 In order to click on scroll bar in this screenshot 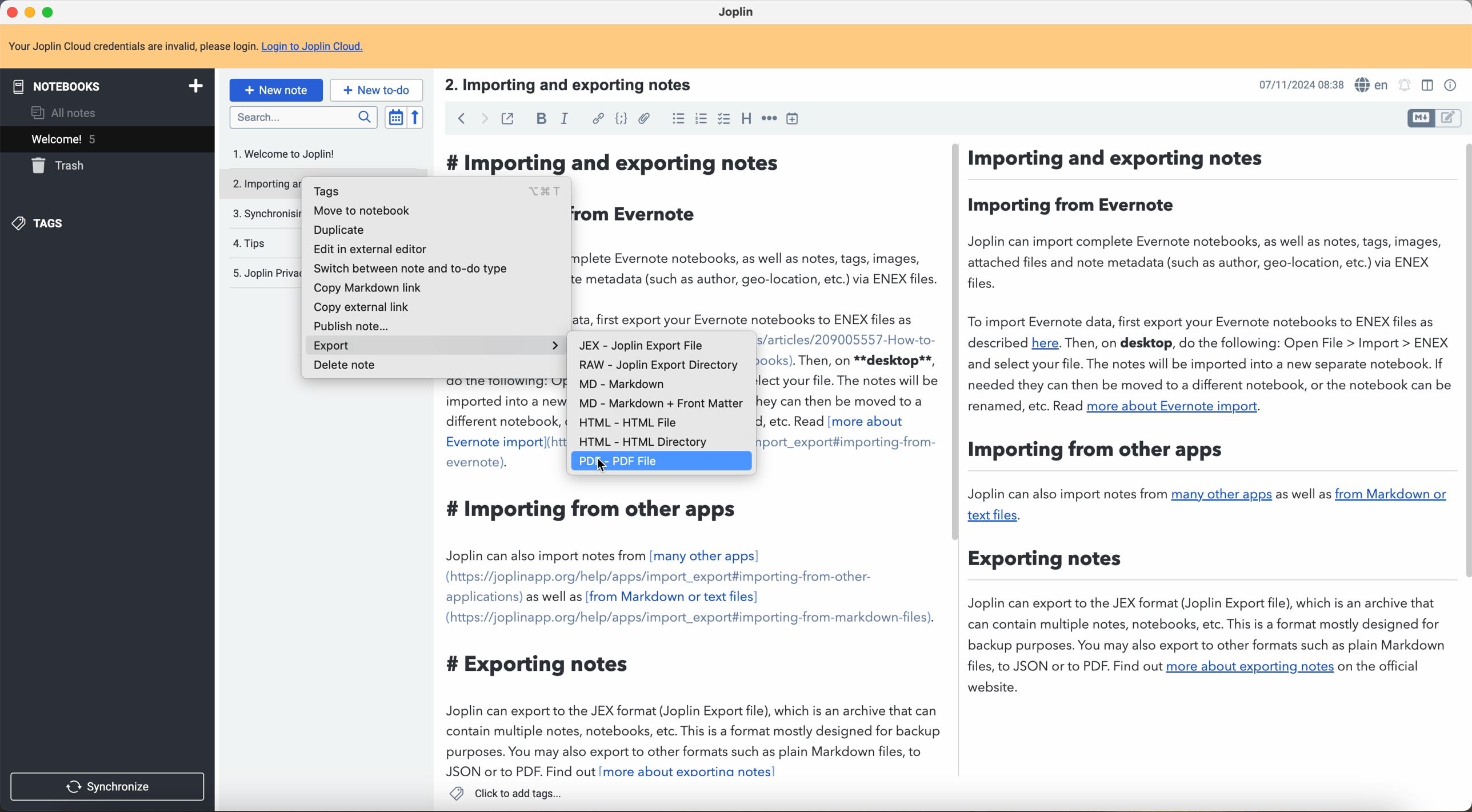, I will do `click(1463, 361)`.